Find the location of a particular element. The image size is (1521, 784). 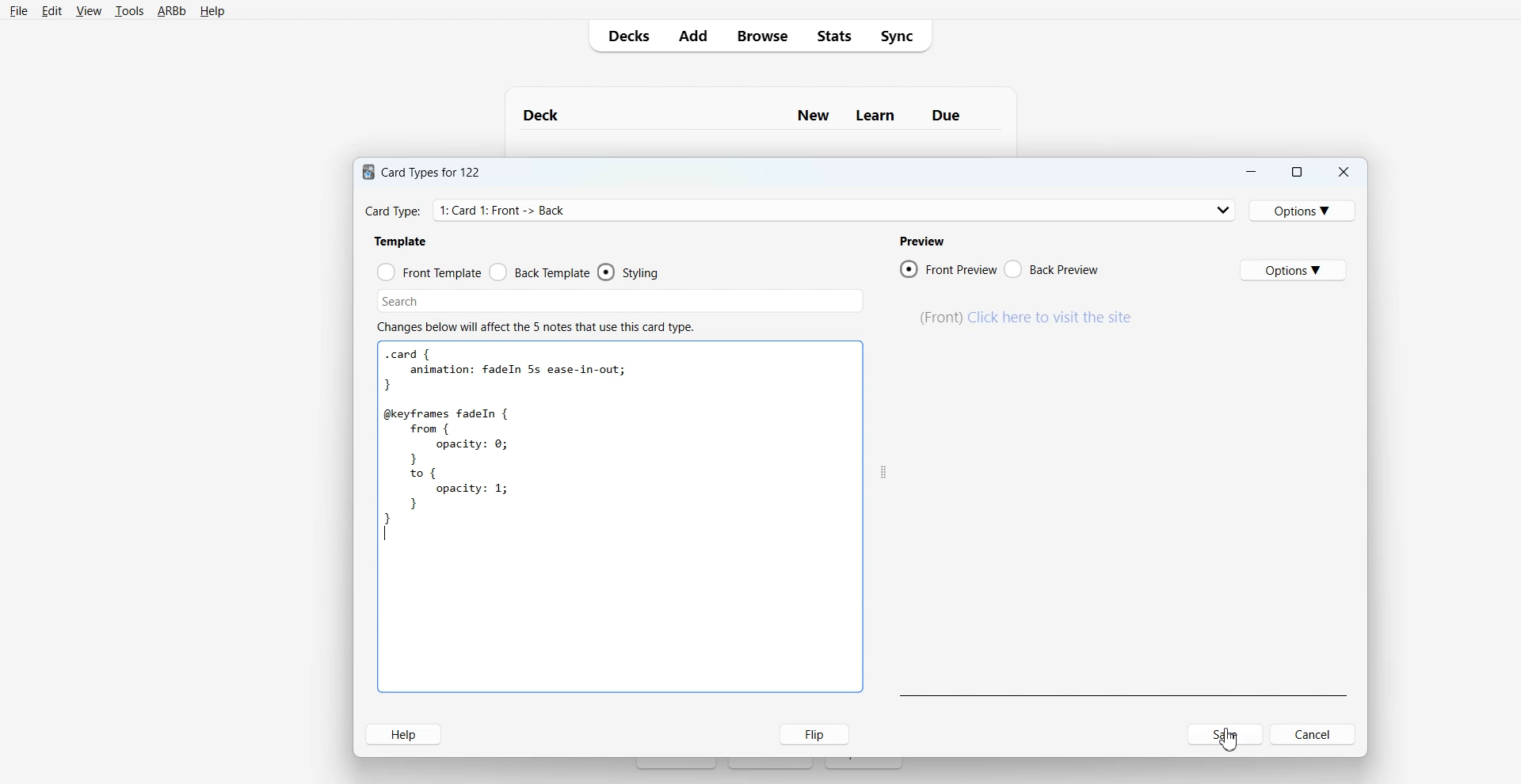

Minimize is located at coordinates (1251, 170).